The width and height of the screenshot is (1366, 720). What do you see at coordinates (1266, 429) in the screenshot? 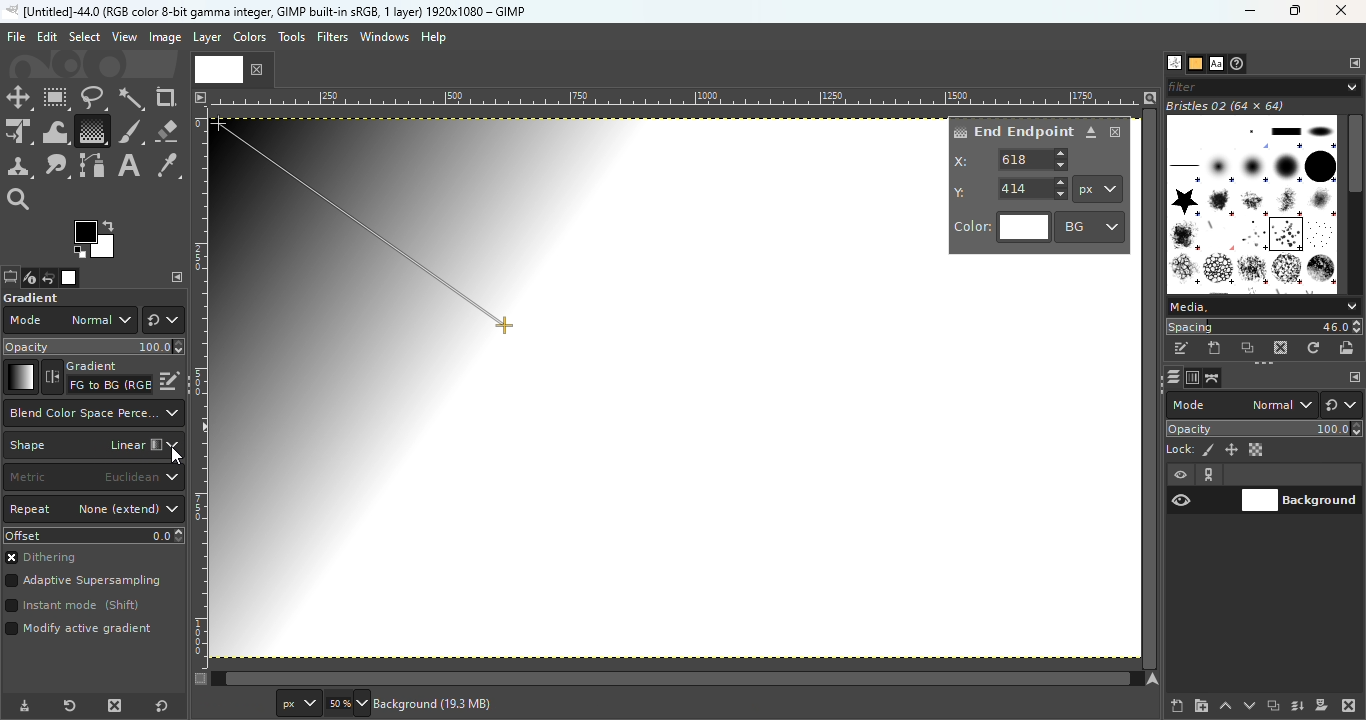
I see `Opacity` at bounding box center [1266, 429].